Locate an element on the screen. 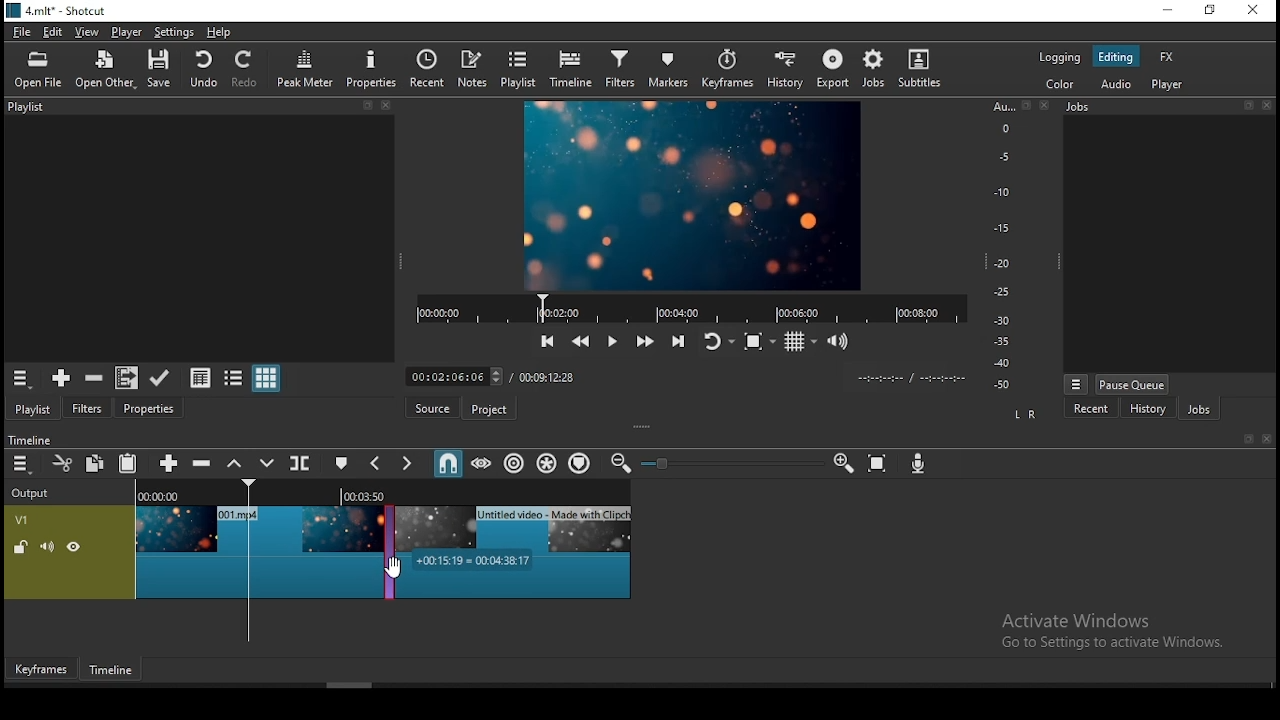  playlist is located at coordinates (196, 109).